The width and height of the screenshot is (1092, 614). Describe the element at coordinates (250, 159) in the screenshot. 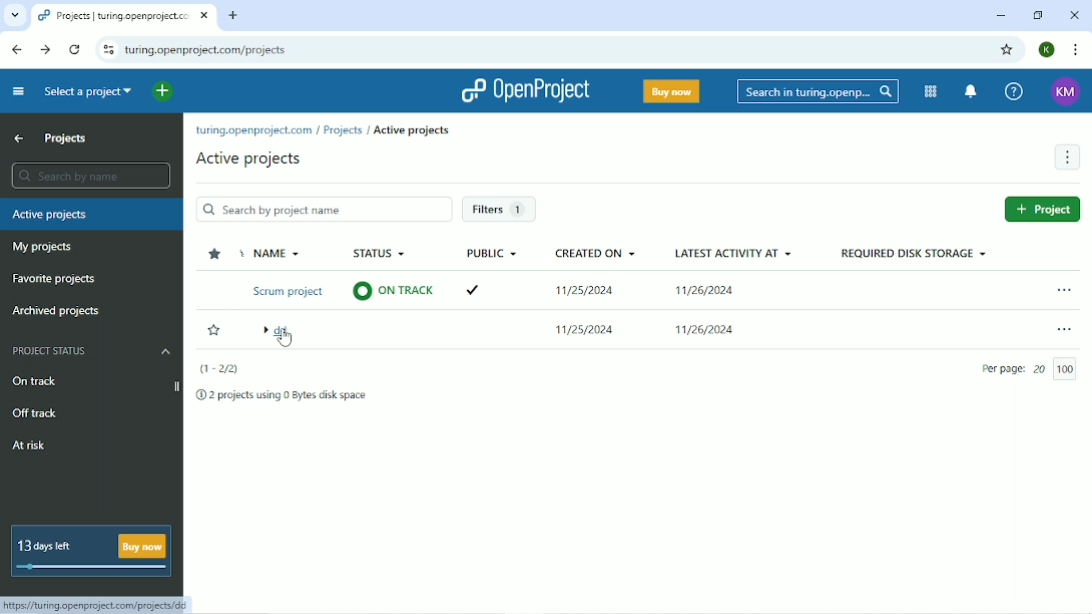

I see `Active projects/` at that location.